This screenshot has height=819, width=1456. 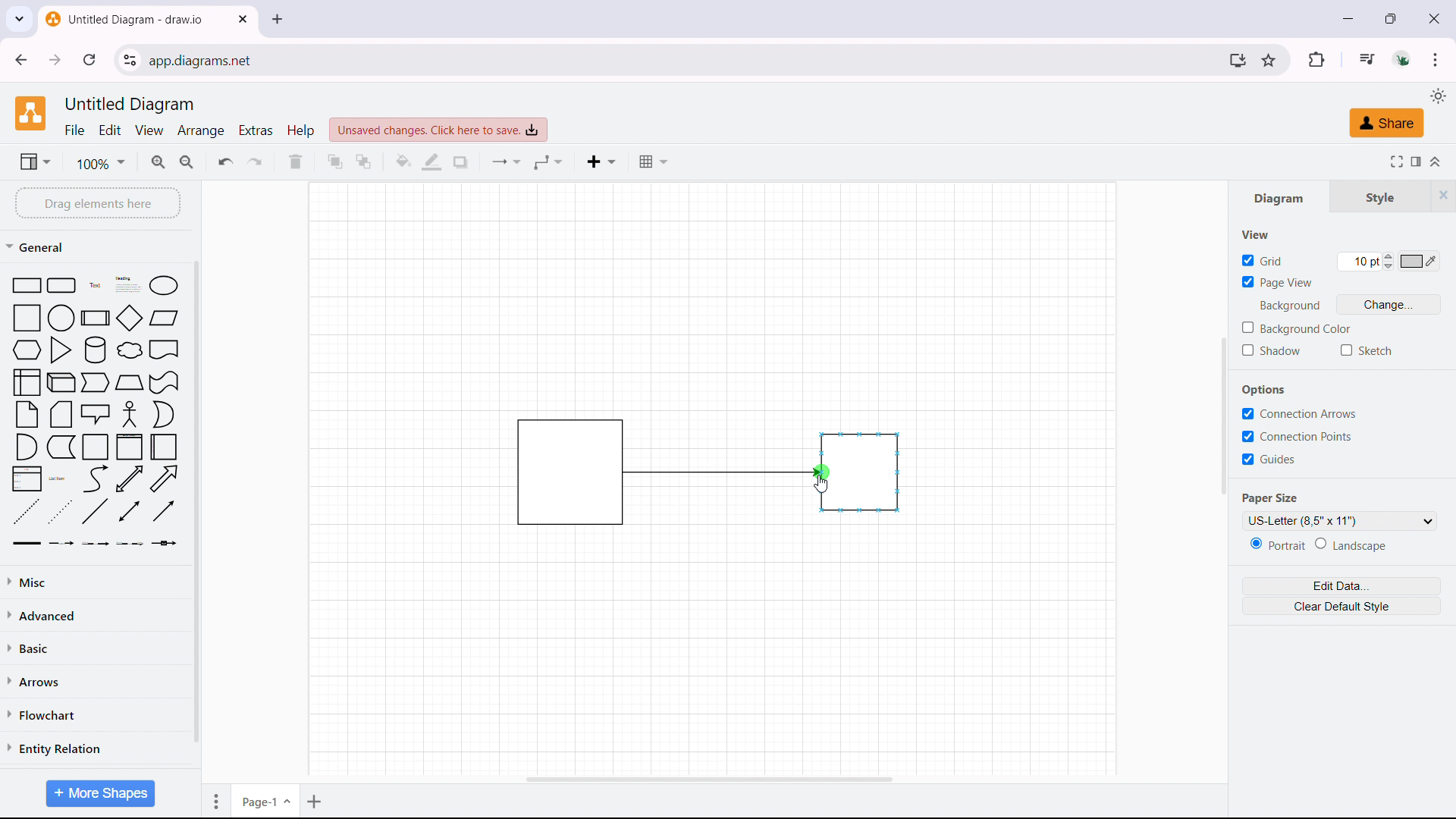 I want to click on miscelleneous, so click(x=96, y=581).